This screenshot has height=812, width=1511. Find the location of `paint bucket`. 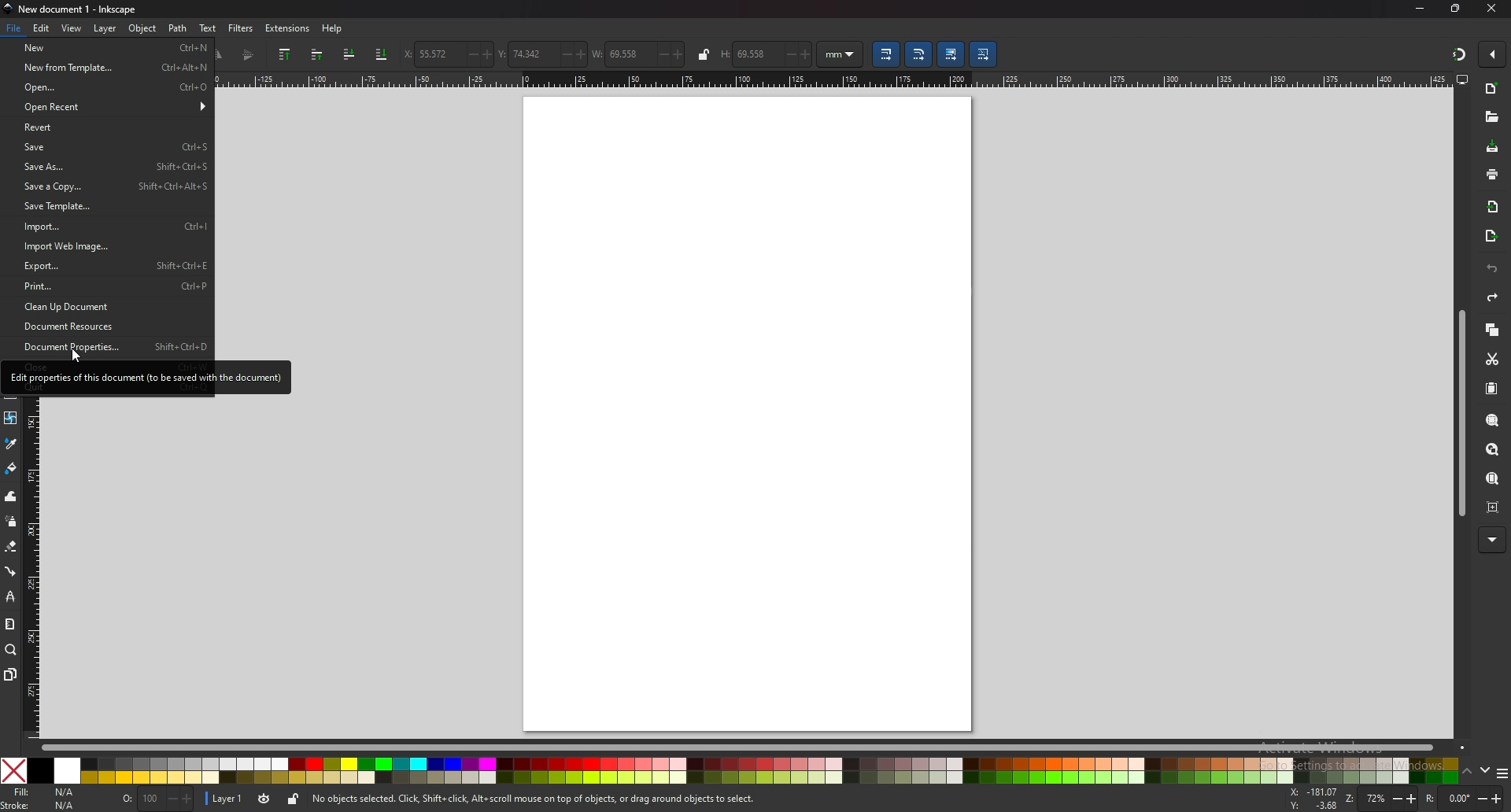

paint bucket is located at coordinates (11, 467).